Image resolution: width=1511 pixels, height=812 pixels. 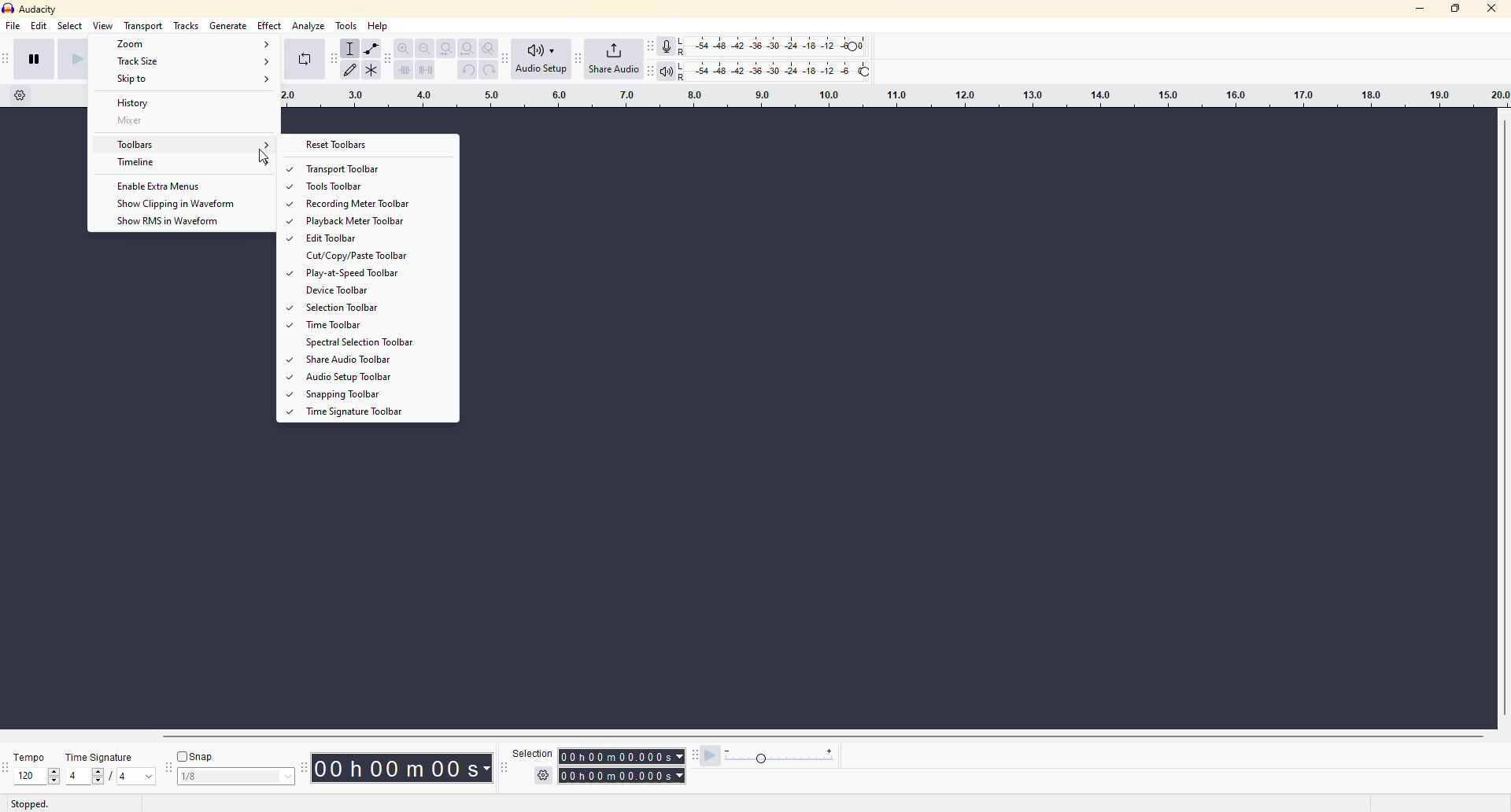 I want to click on 4, so click(x=76, y=775).